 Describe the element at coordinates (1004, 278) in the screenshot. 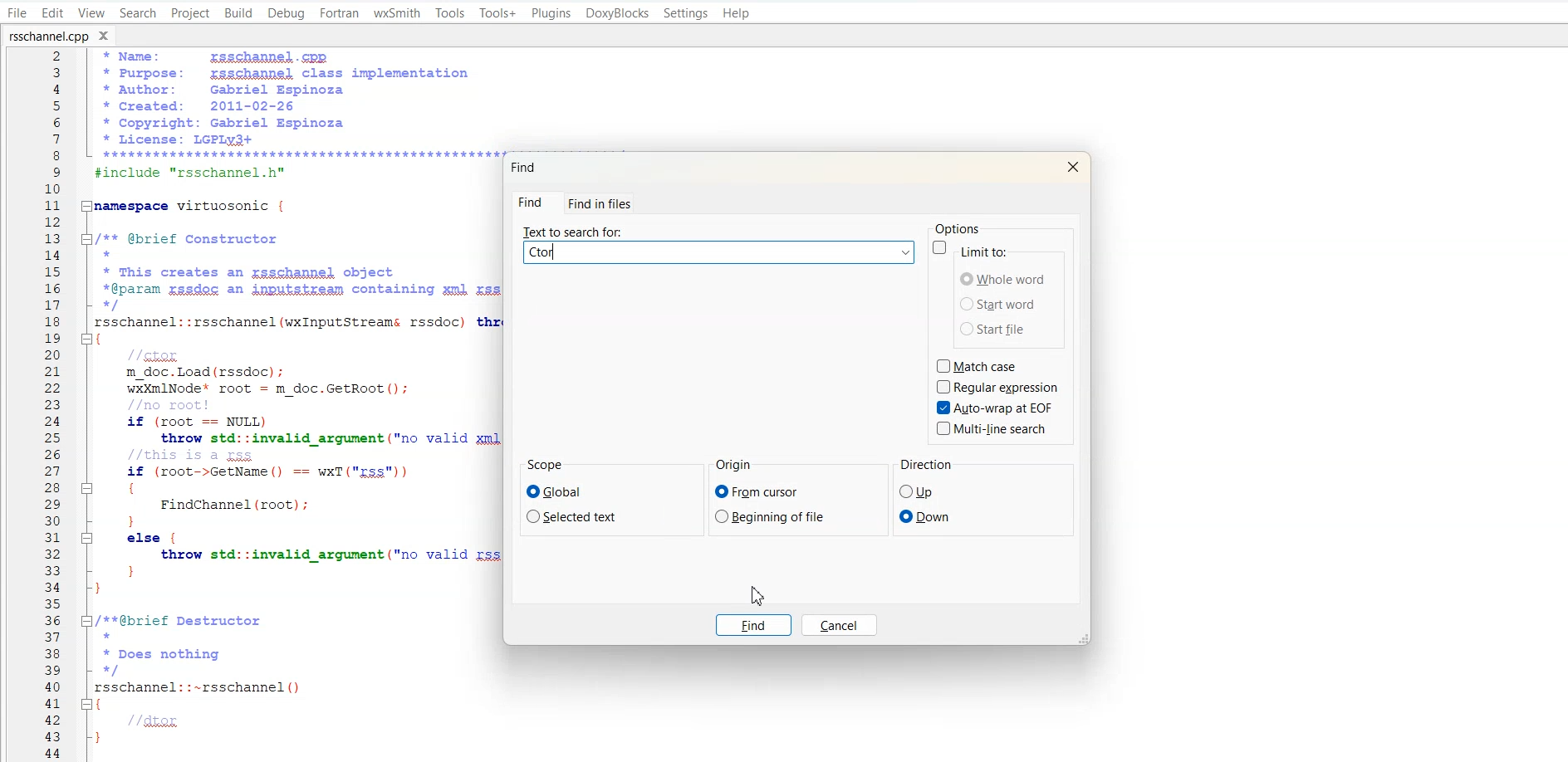

I see `Whole word` at that location.